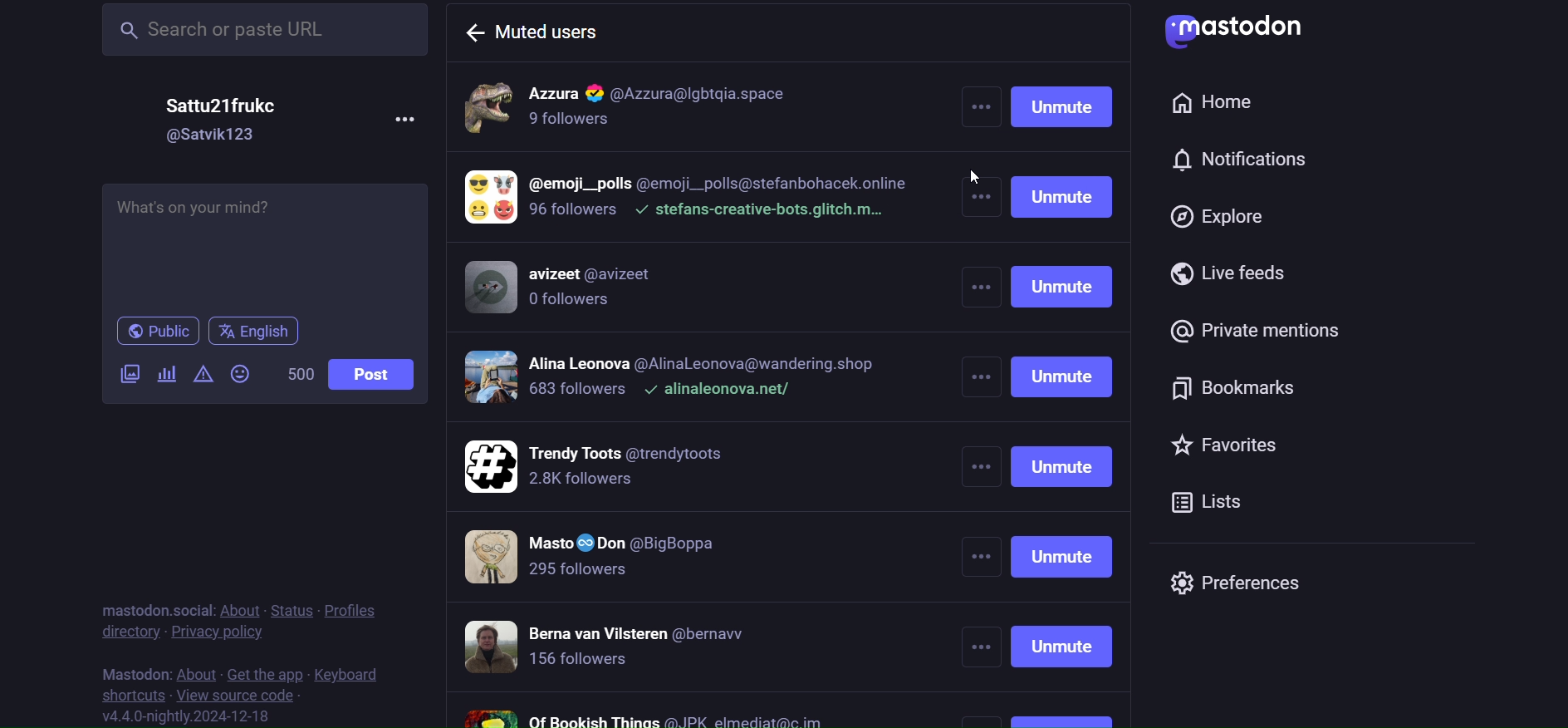 The height and width of the screenshot is (728, 1568). I want to click on notification, so click(1245, 160).